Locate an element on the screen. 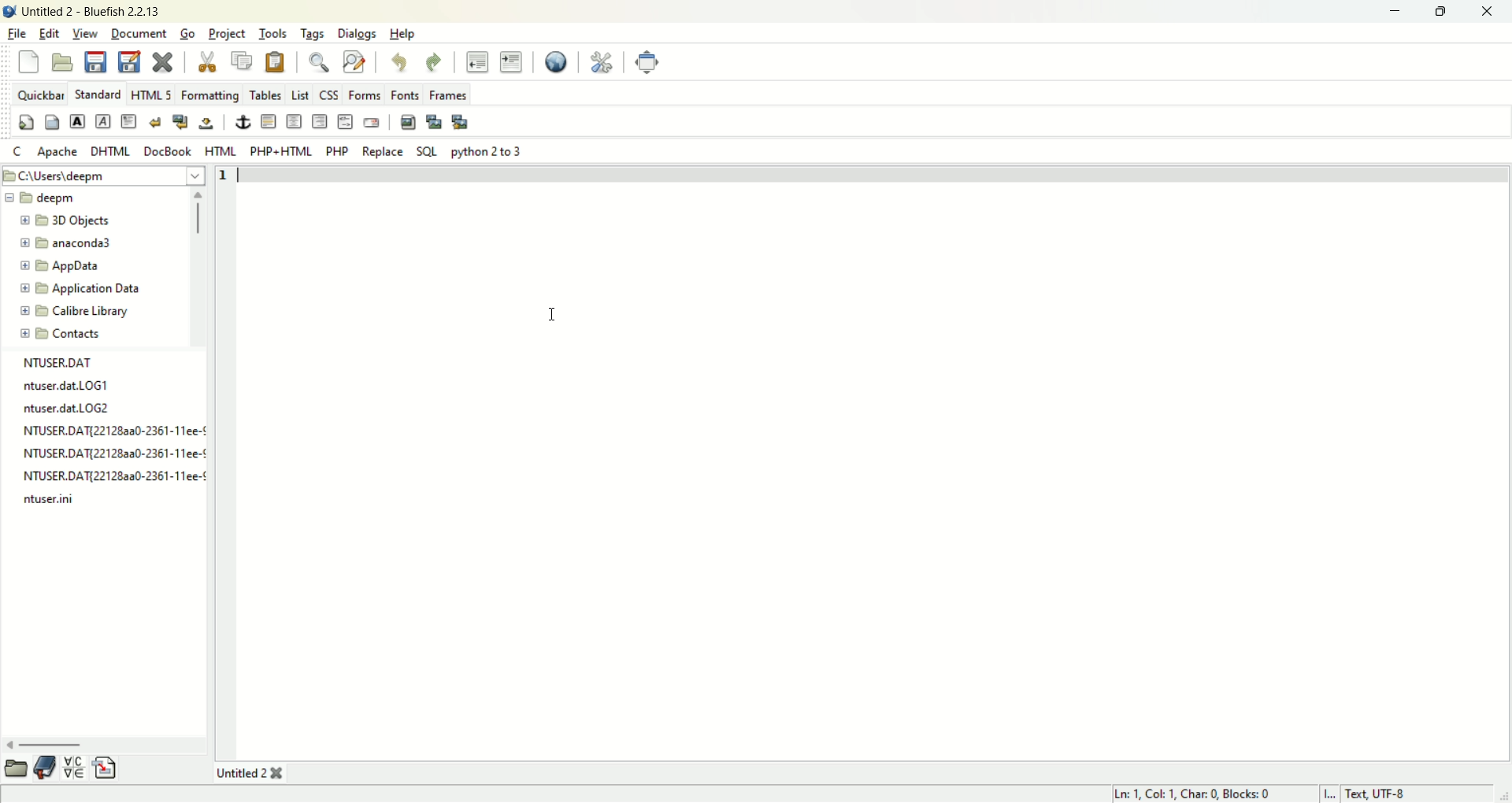 The width and height of the screenshot is (1512, 803). CSS is located at coordinates (329, 93).